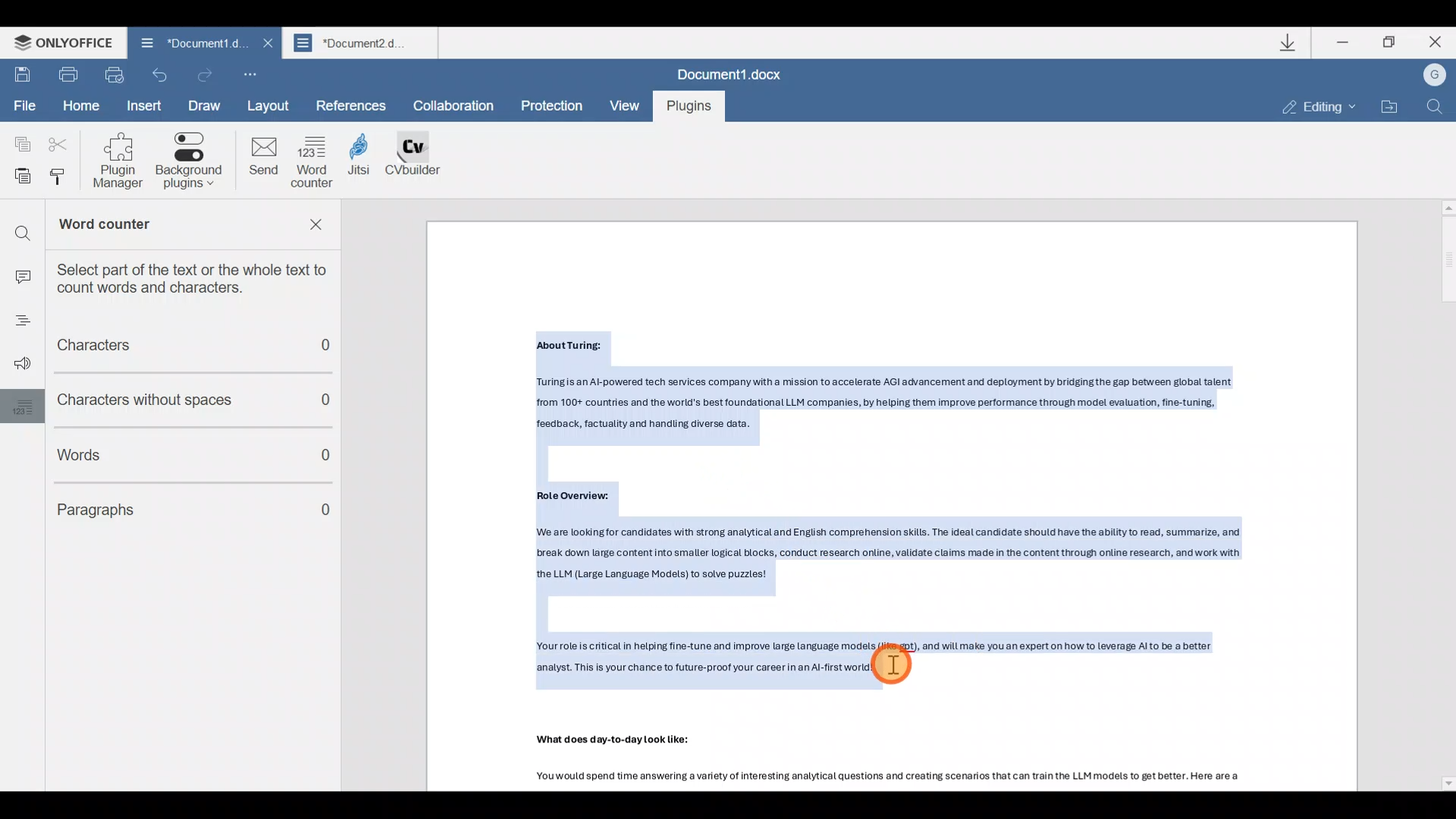 Image resolution: width=1456 pixels, height=819 pixels. Describe the element at coordinates (899, 385) in the screenshot. I see `About Turing:

Turing is an Al-powered tech services company witha mission to accelerate AGI advancement and deployment by bridging the gap between global talent
from 100+ countries and the world's best foundational LLM companies, by helping them improve performance through model evaluation, fine-tuning,
feedback, factuality and handling diverse data.` at that location.